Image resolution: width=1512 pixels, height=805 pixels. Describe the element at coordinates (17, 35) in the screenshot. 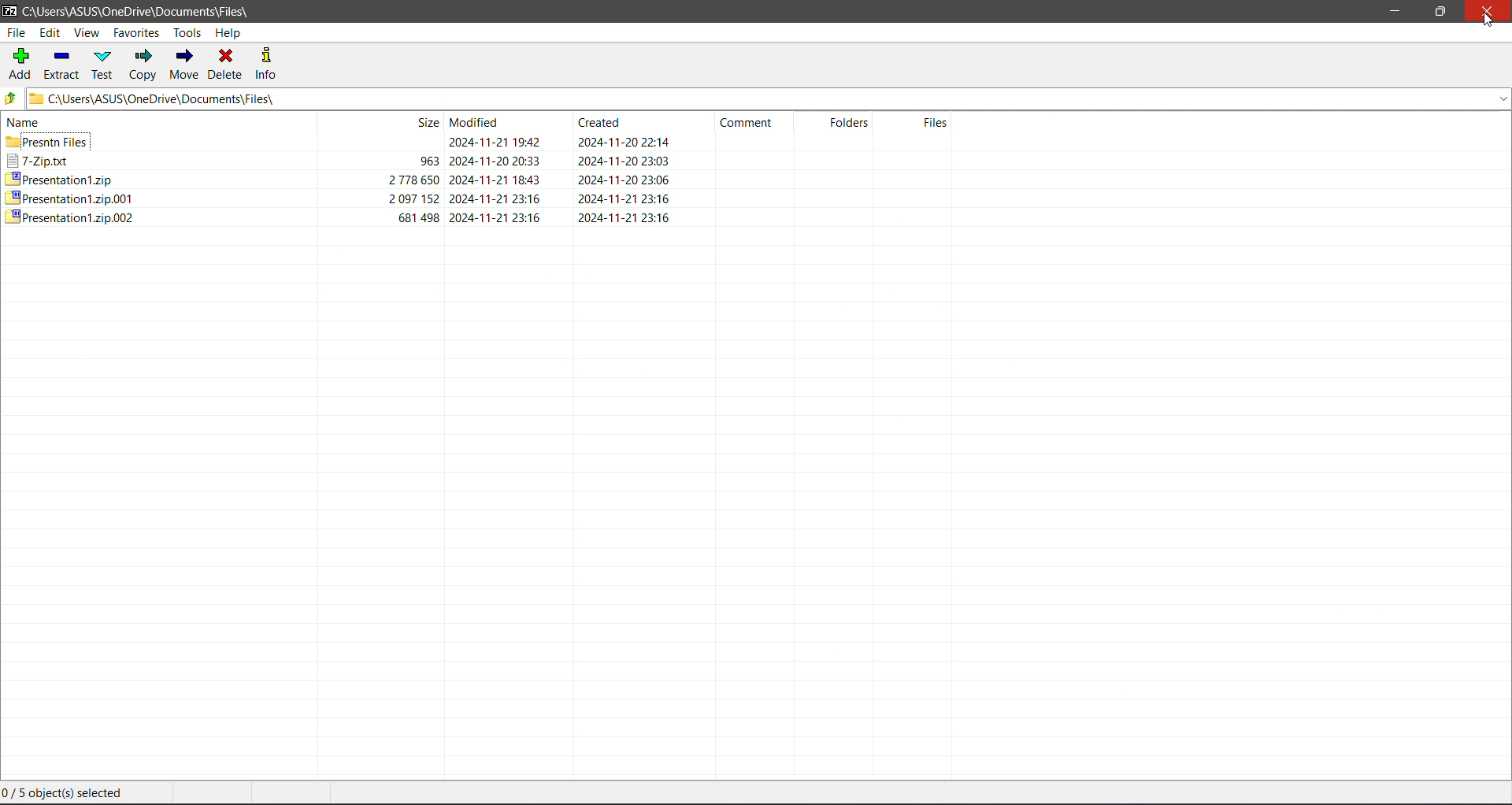

I see `File` at that location.